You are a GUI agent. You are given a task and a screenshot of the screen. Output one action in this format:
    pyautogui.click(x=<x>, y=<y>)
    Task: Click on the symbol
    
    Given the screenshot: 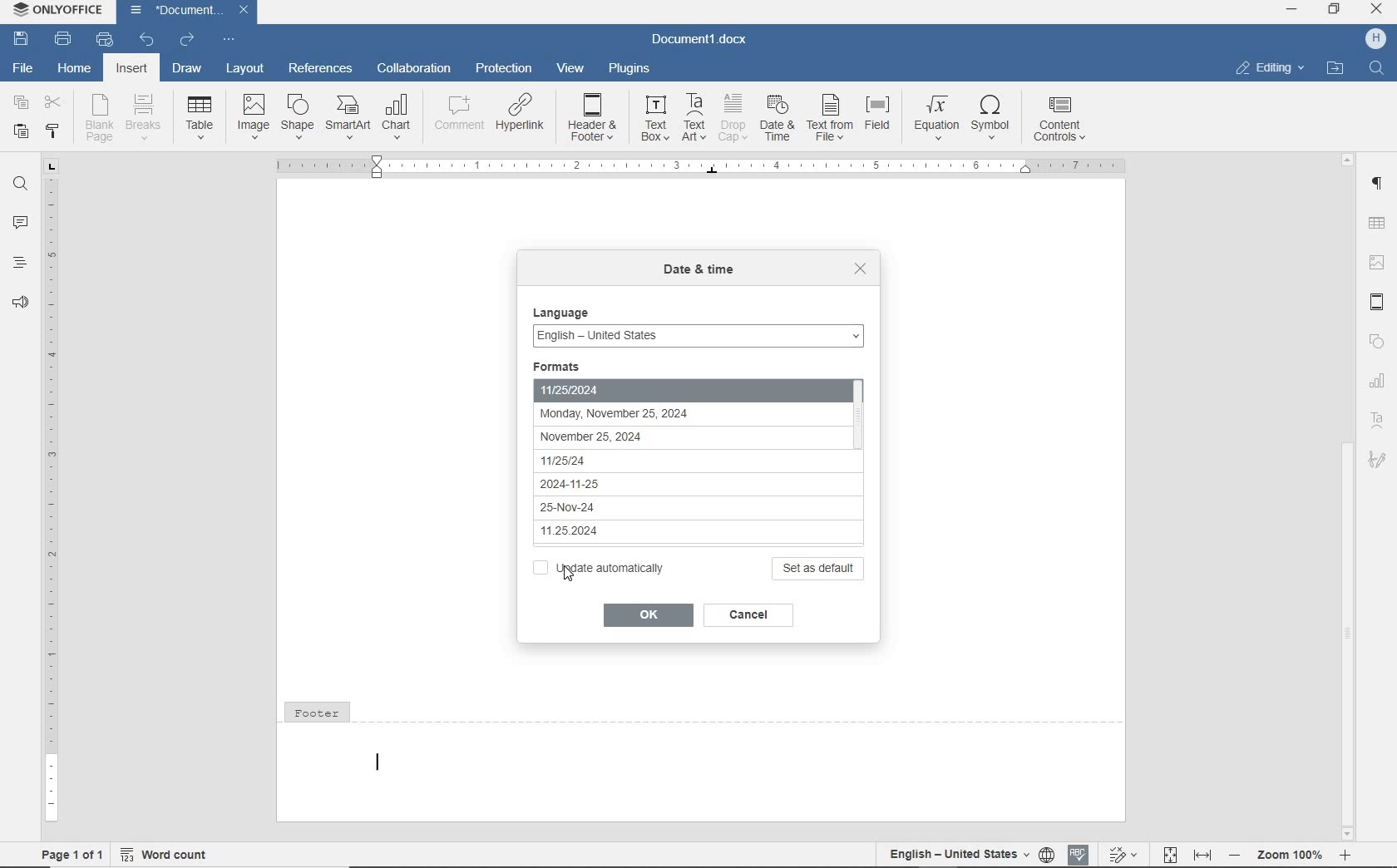 What is the action you would take?
    pyautogui.click(x=995, y=118)
    